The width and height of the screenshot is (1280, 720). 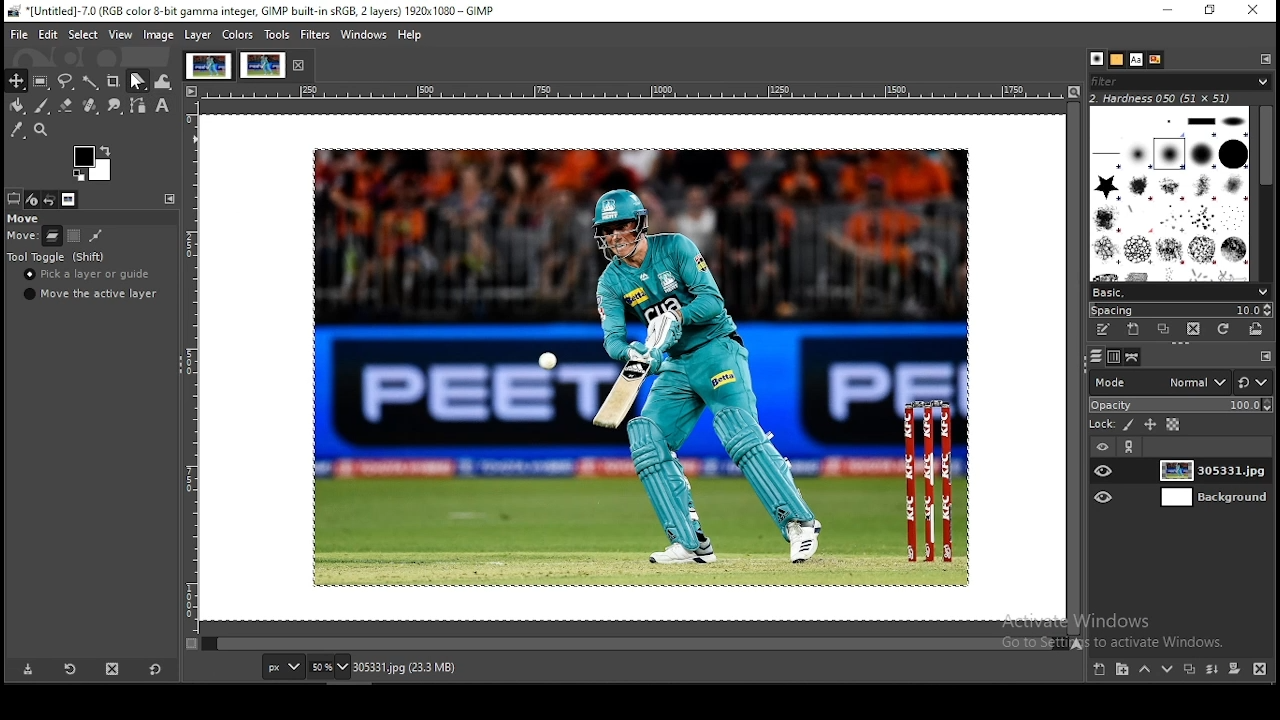 I want to click on file, so click(x=21, y=34).